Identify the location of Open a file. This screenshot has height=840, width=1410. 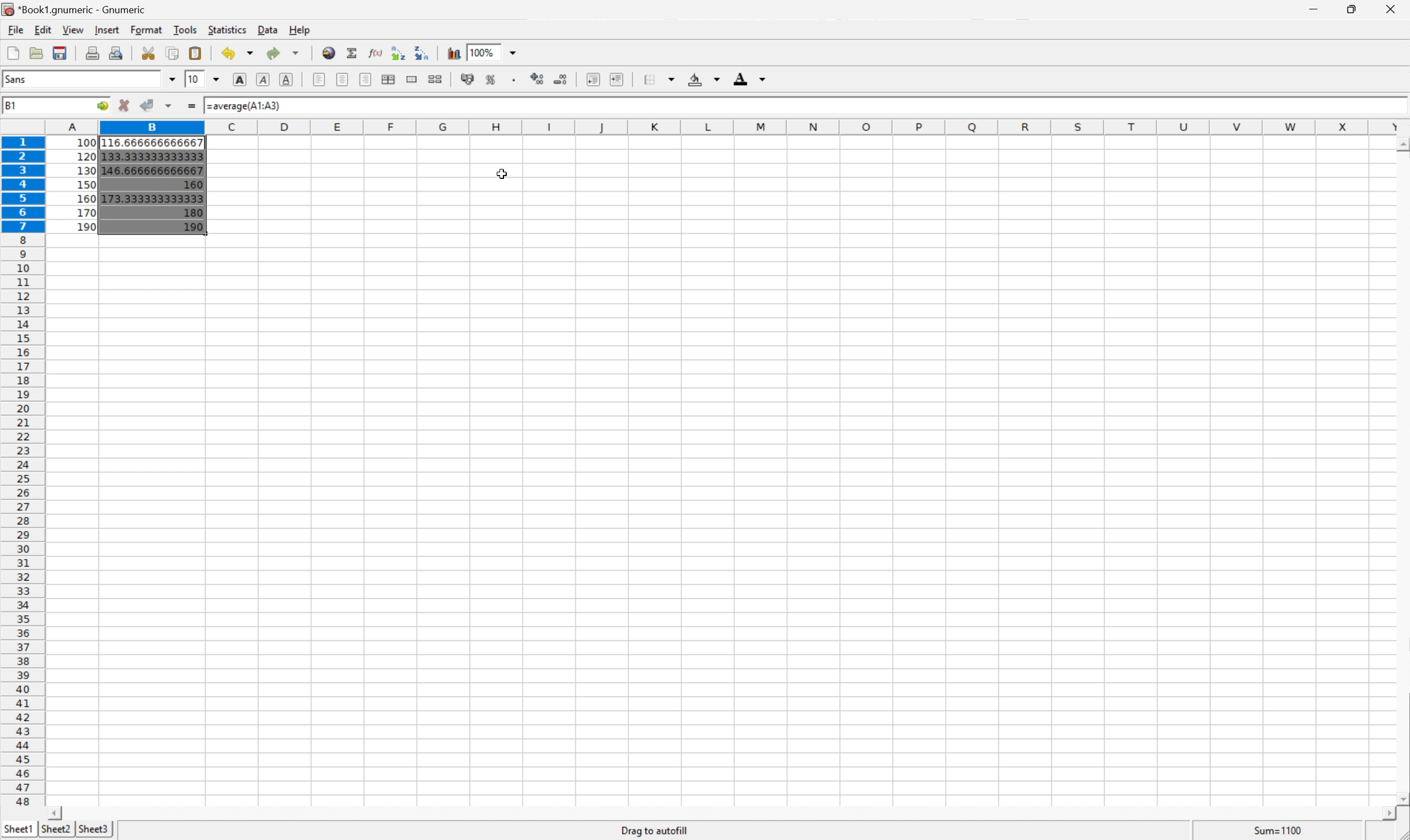
(37, 53).